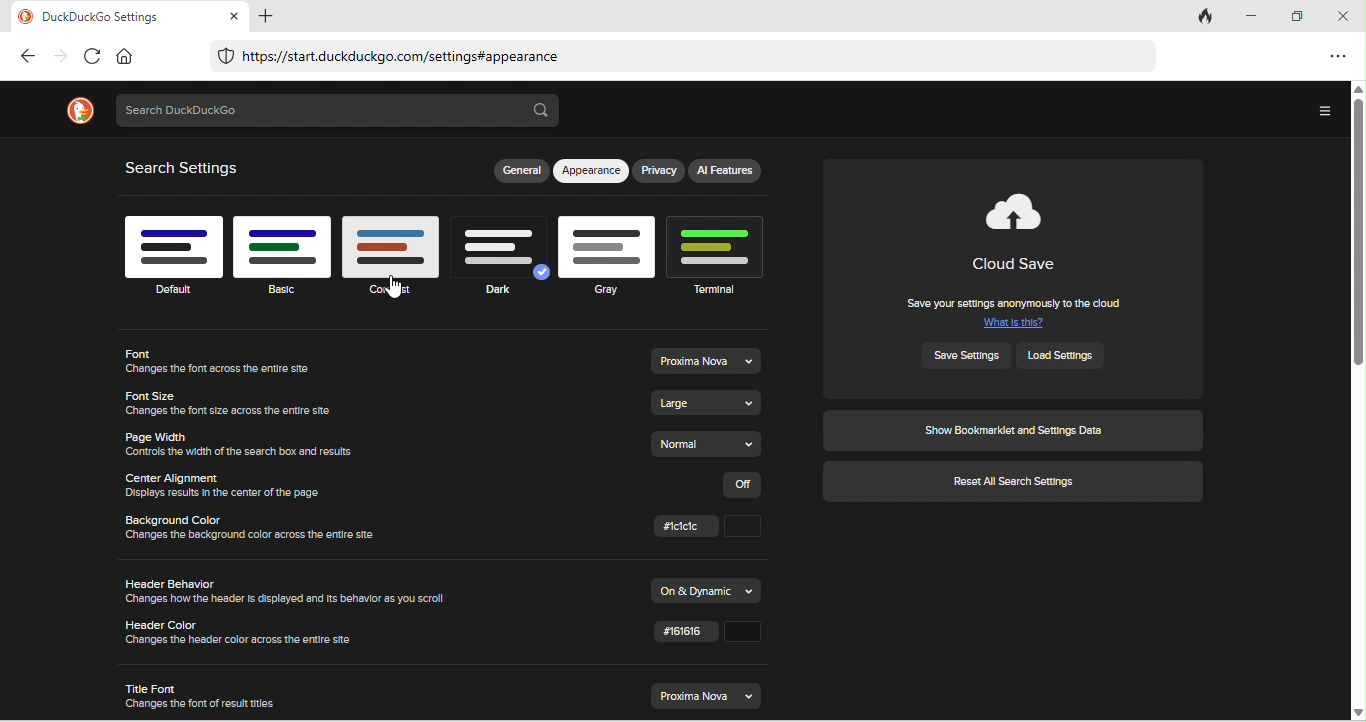 This screenshot has width=1366, height=722. Describe the element at coordinates (234, 363) in the screenshot. I see `font` at that location.